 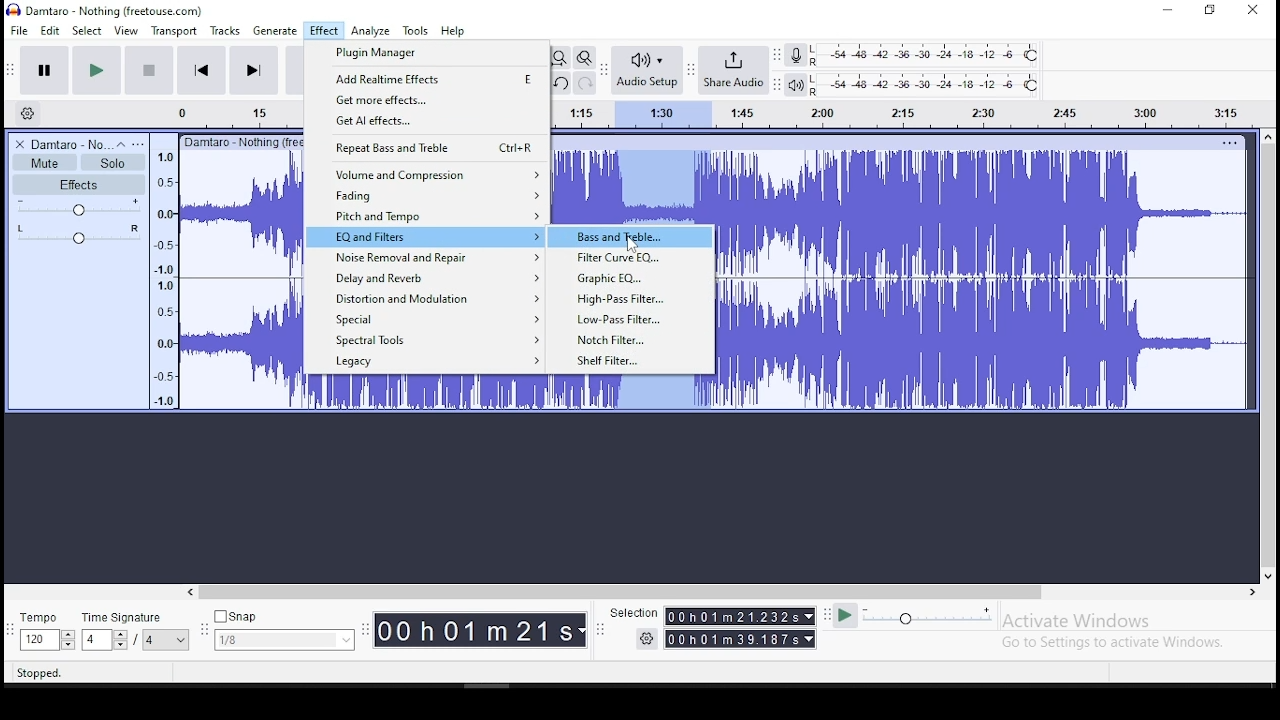 I want to click on play, so click(x=96, y=71).